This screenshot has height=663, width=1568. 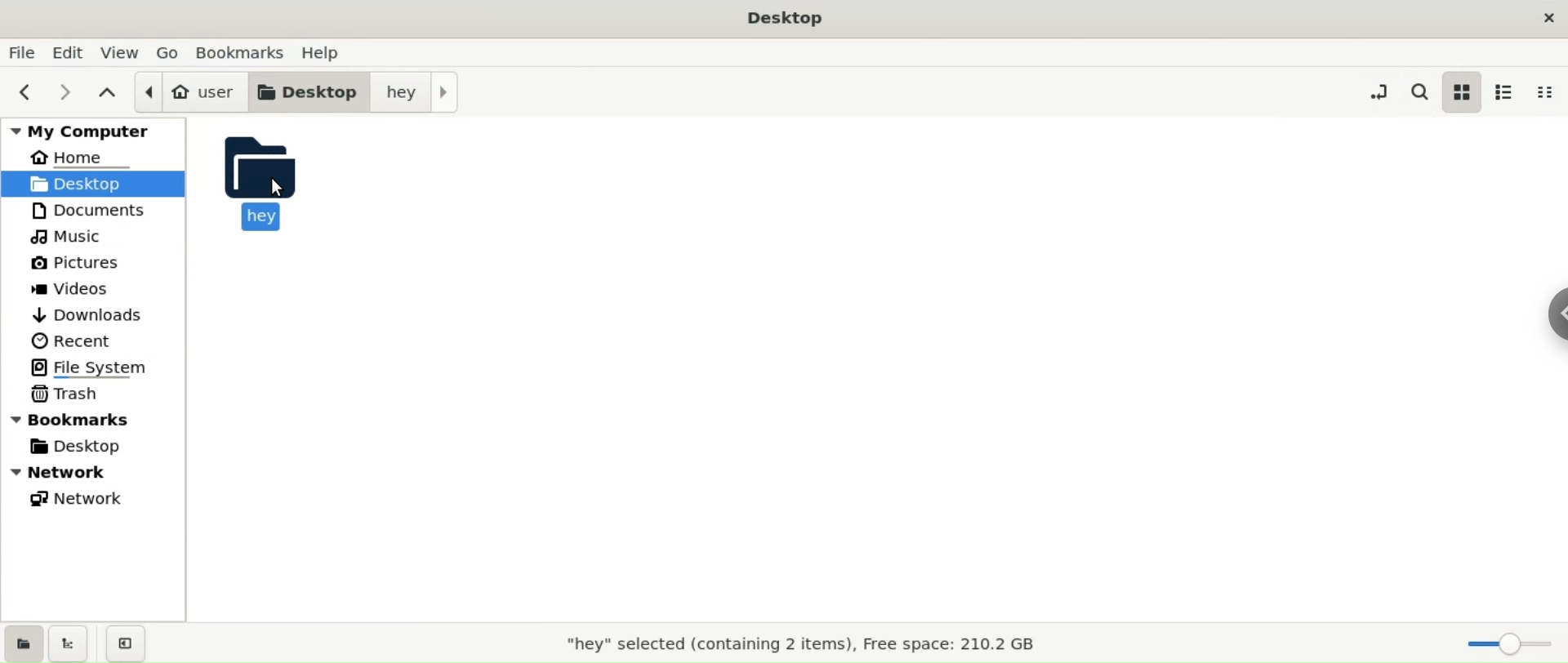 What do you see at coordinates (1383, 93) in the screenshot?
I see `toggle location entry` at bounding box center [1383, 93].